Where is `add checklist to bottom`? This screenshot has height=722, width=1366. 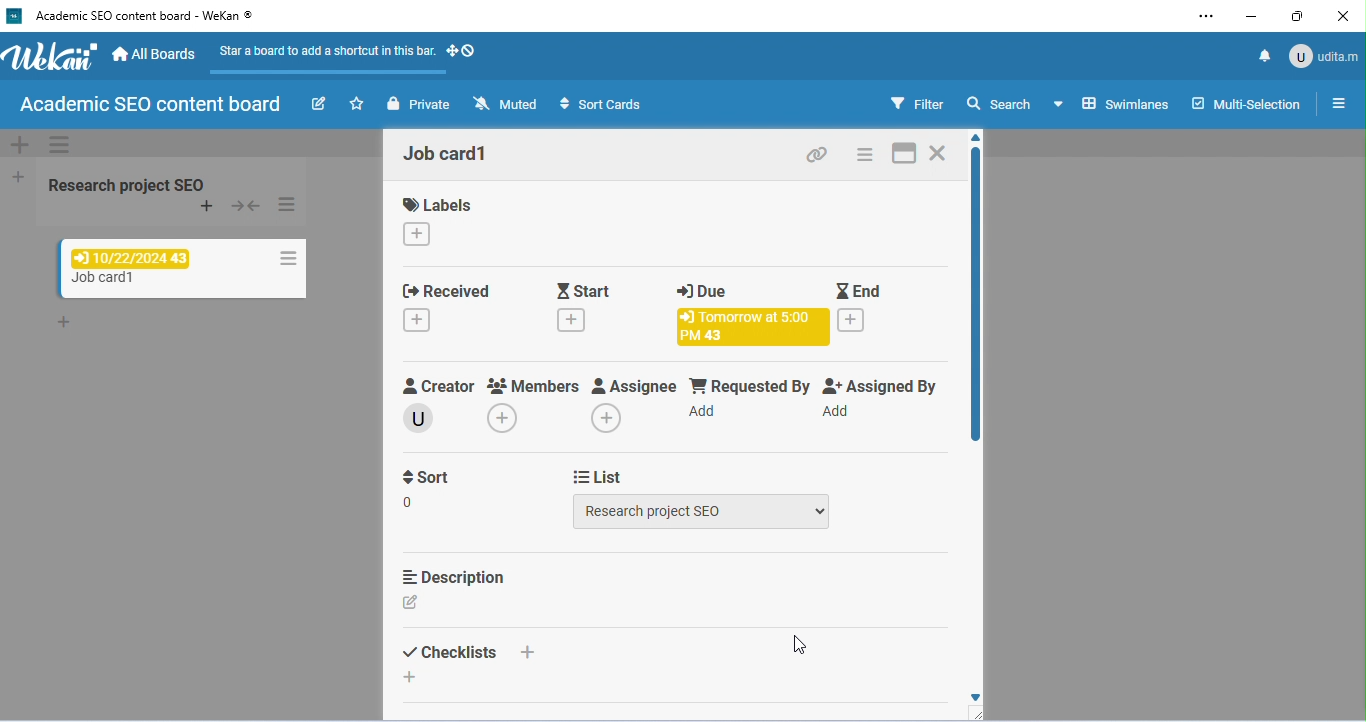 add checklist to bottom is located at coordinates (408, 677).